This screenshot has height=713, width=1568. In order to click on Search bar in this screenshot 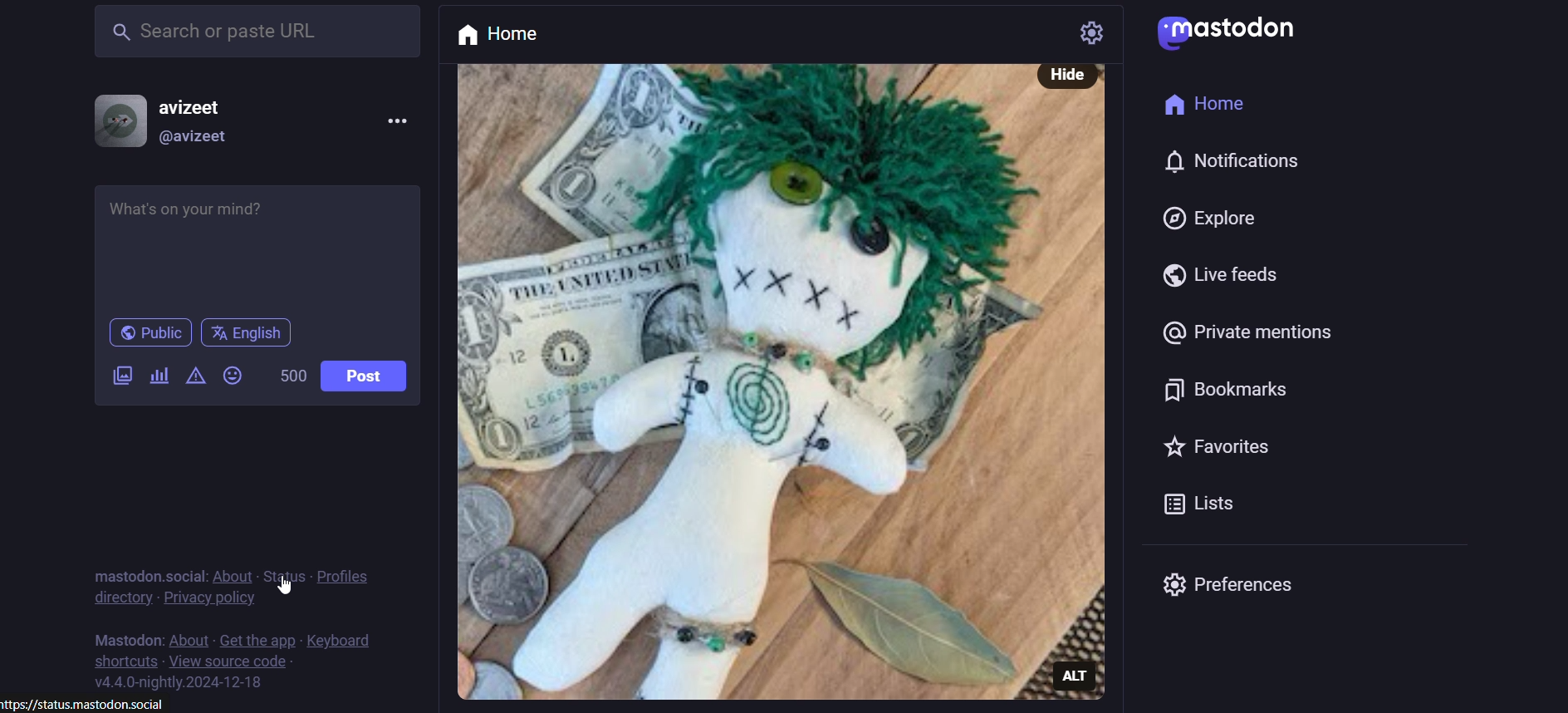, I will do `click(256, 37)`.